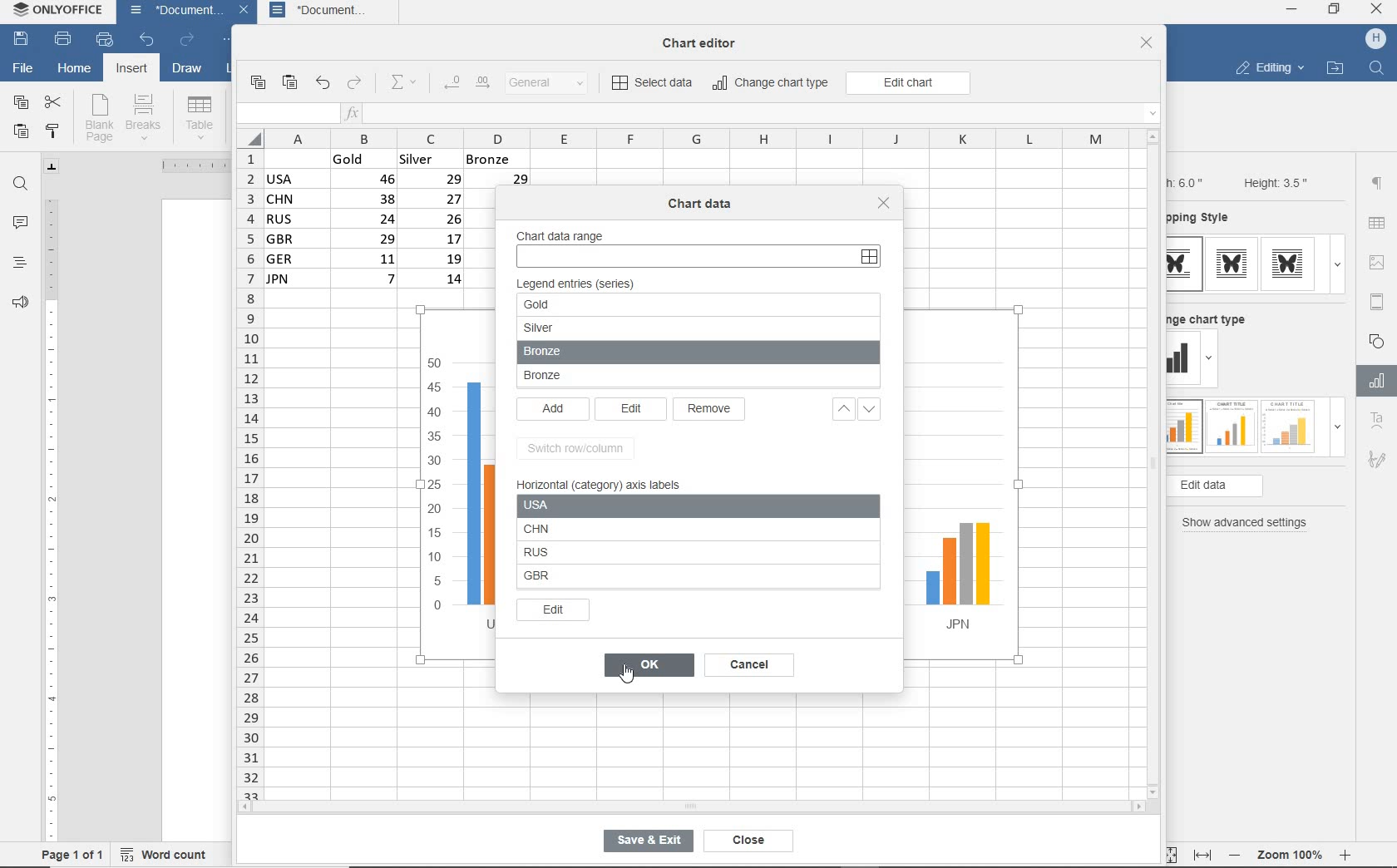 This screenshot has width=1397, height=868. Describe the element at coordinates (1337, 432) in the screenshot. I see `dropdown` at that location.